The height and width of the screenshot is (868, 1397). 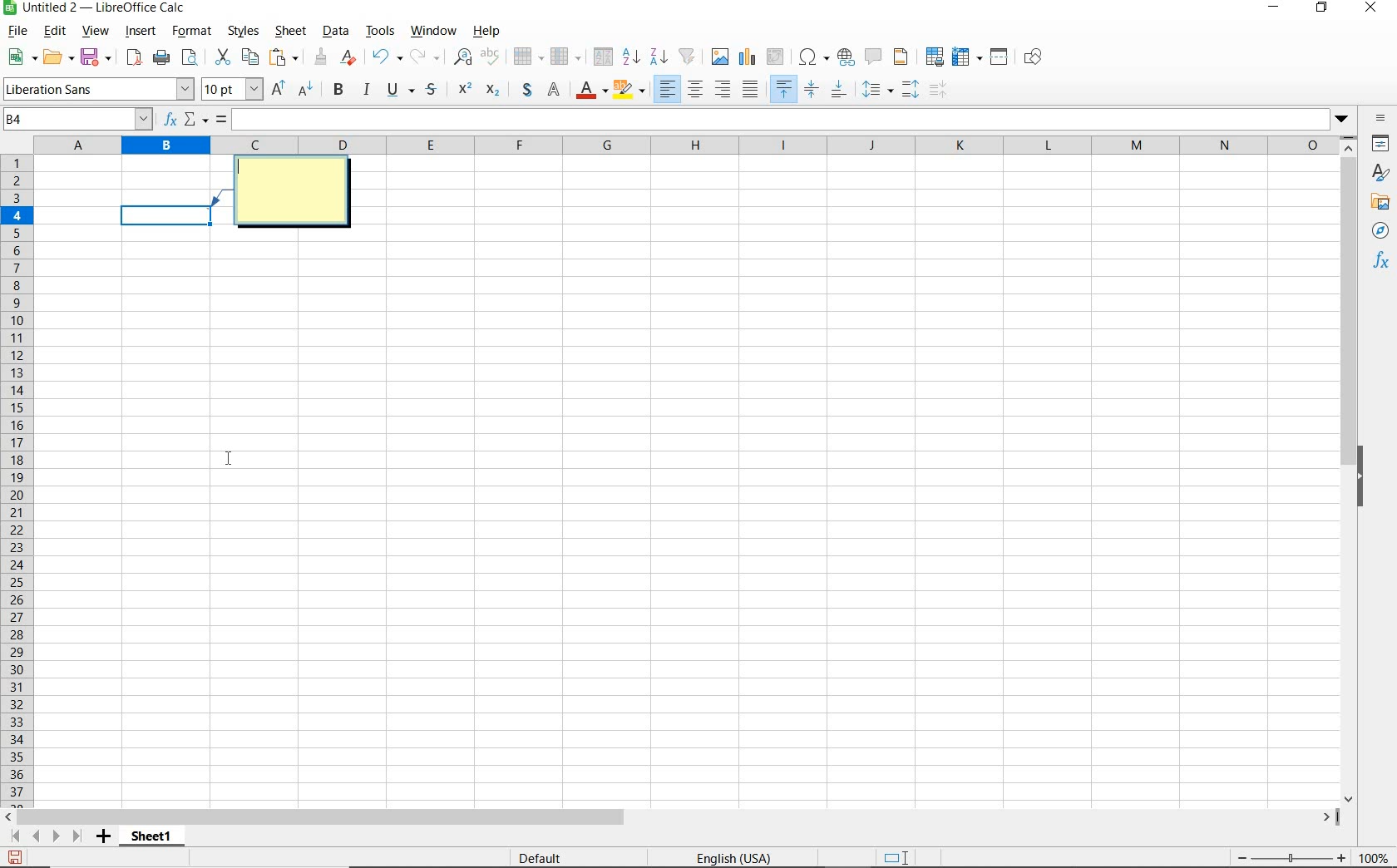 I want to click on Selected cell, so click(x=168, y=216).